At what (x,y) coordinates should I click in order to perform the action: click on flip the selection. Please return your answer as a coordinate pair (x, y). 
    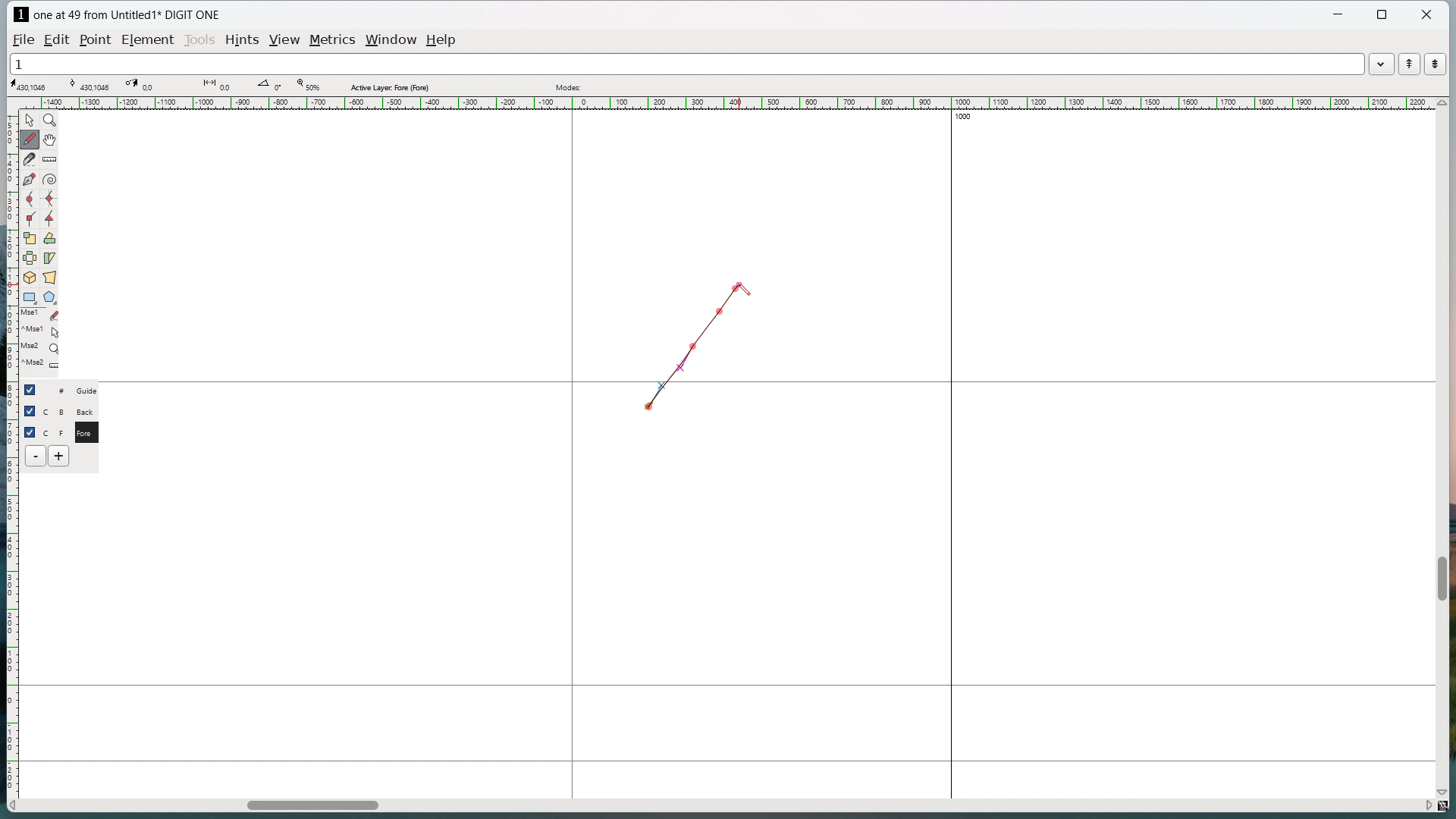
    Looking at the image, I should click on (30, 258).